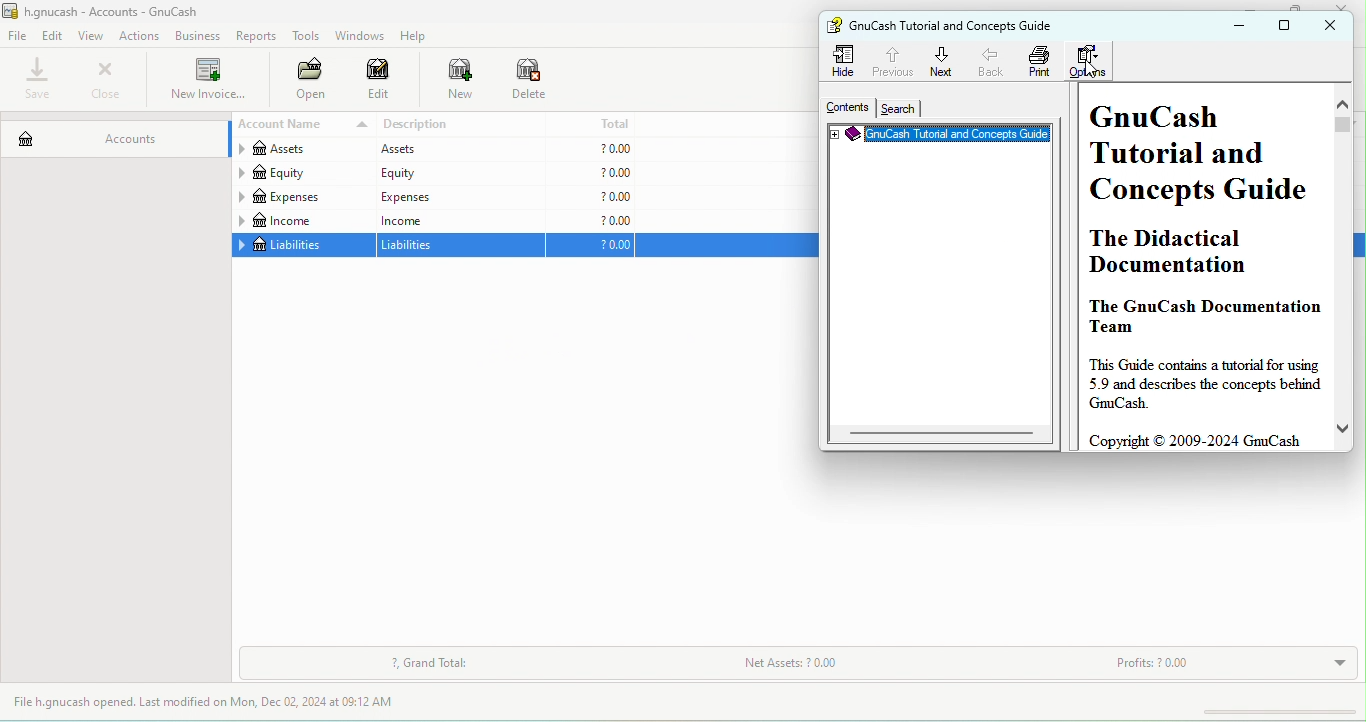 Image resolution: width=1366 pixels, height=722 pixels. What do you see at coordinates (1040, 61) in the screenshot?
I see `print` at bounding box center [1040, 61].